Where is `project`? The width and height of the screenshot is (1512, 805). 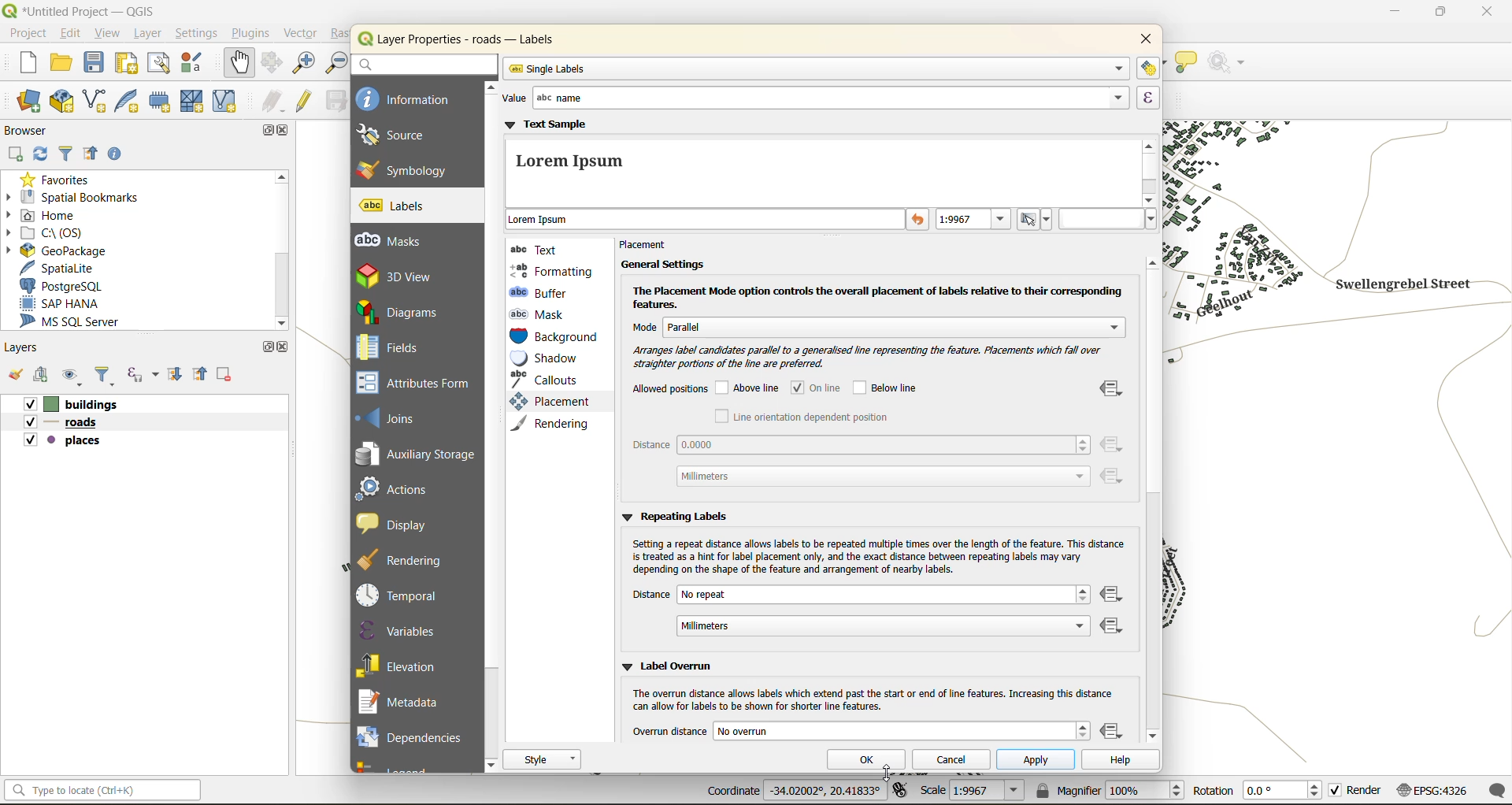 project is located at coordinates (28, 35).